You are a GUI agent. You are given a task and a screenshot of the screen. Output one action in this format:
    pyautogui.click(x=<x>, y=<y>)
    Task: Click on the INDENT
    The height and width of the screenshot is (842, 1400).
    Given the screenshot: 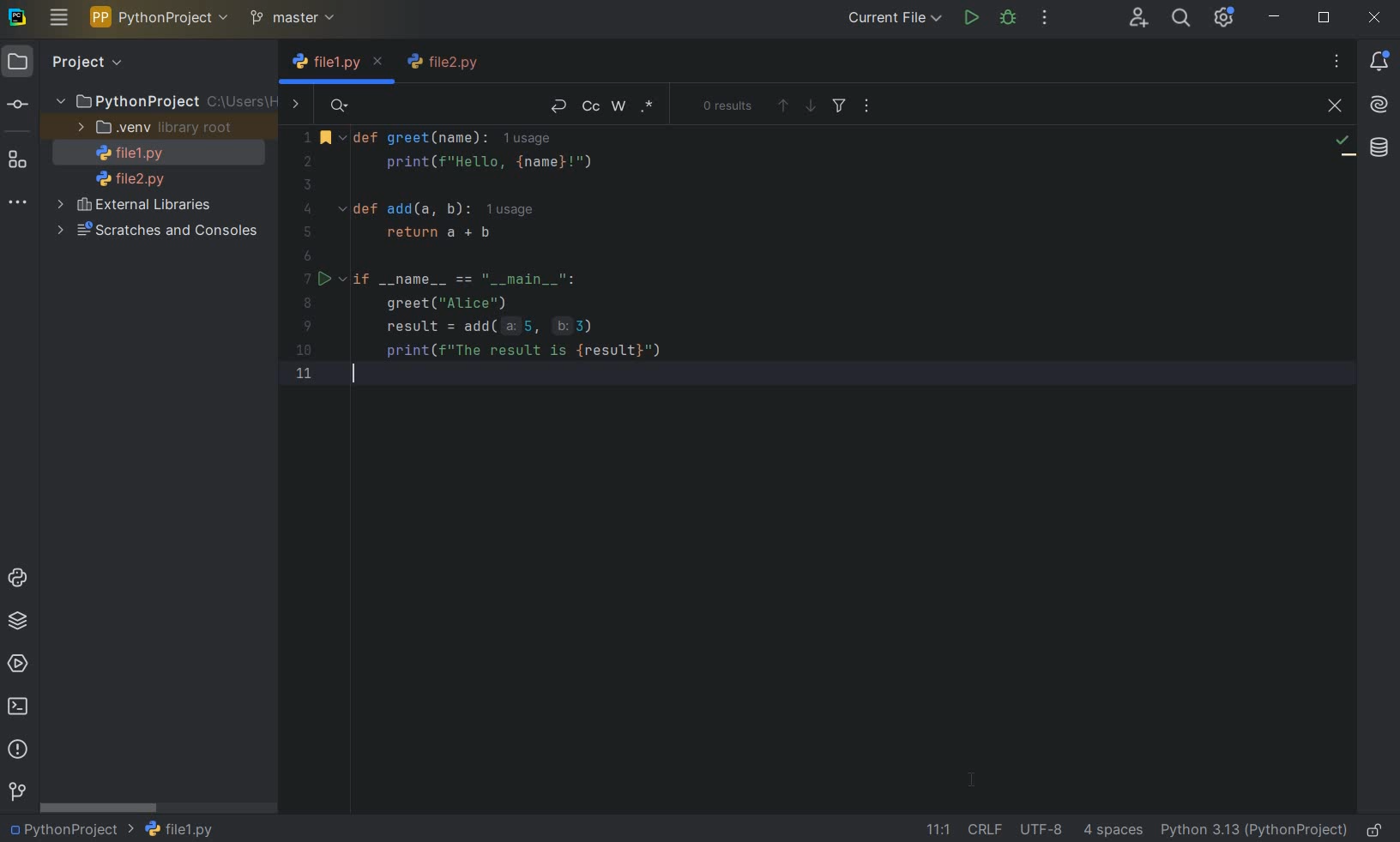 What is the action you would take?
    pyautogui.click(x=1112, y=831)
    